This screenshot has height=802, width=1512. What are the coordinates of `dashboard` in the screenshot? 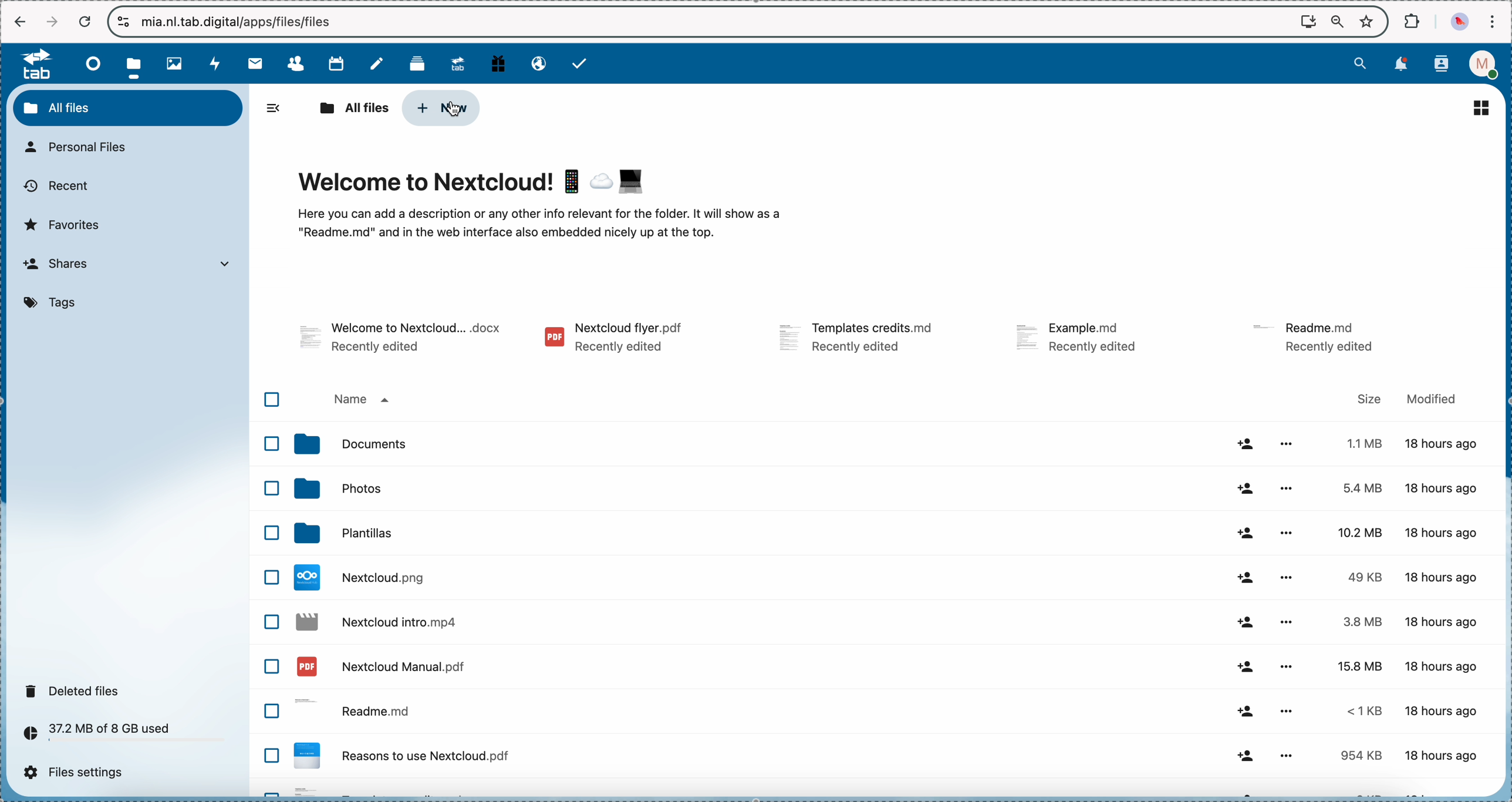 It's located at (90, 63).